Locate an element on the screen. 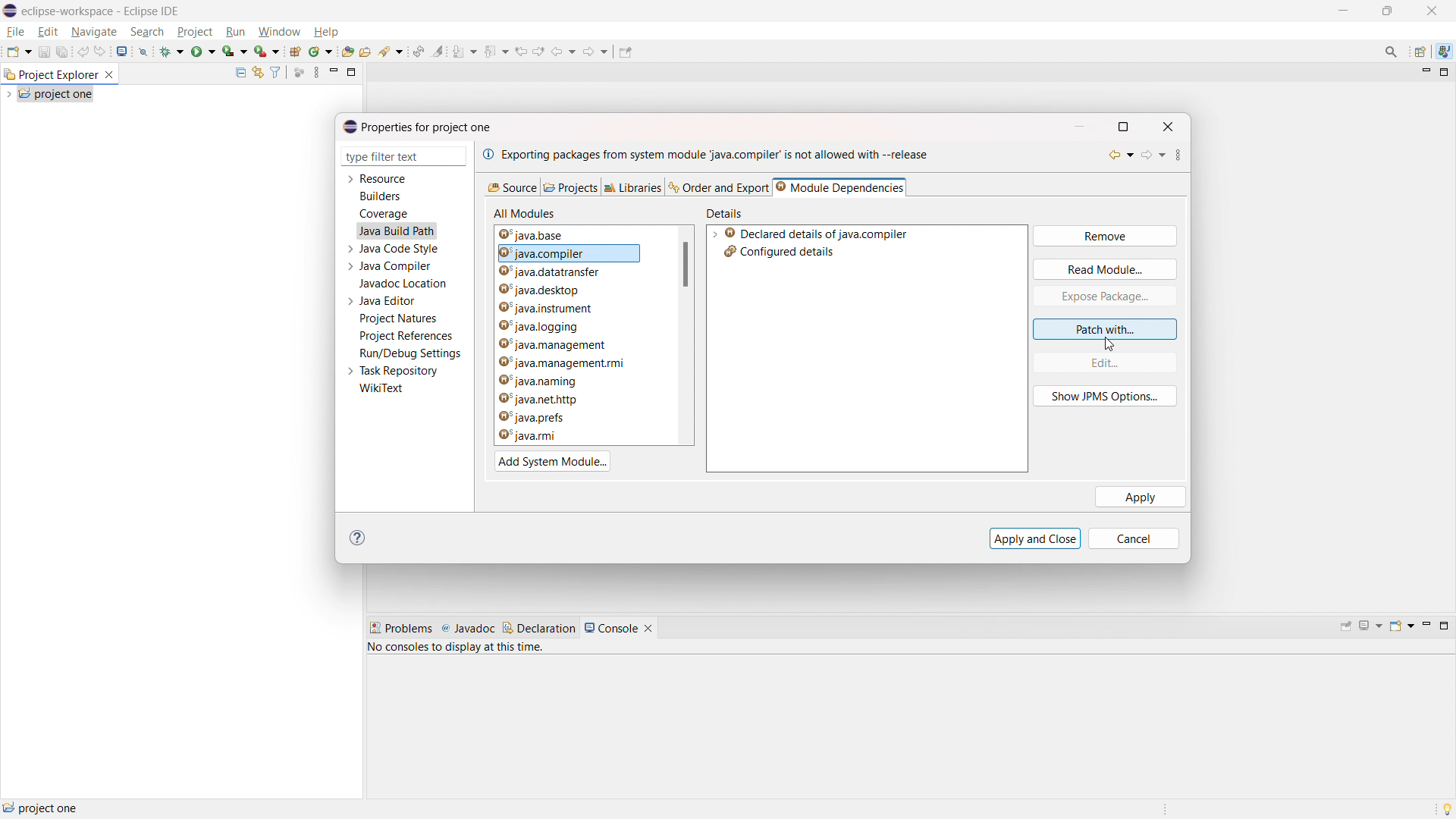 The height and width of the screenshot is (819, 1456). java editor is located at coordinates (388, 301).